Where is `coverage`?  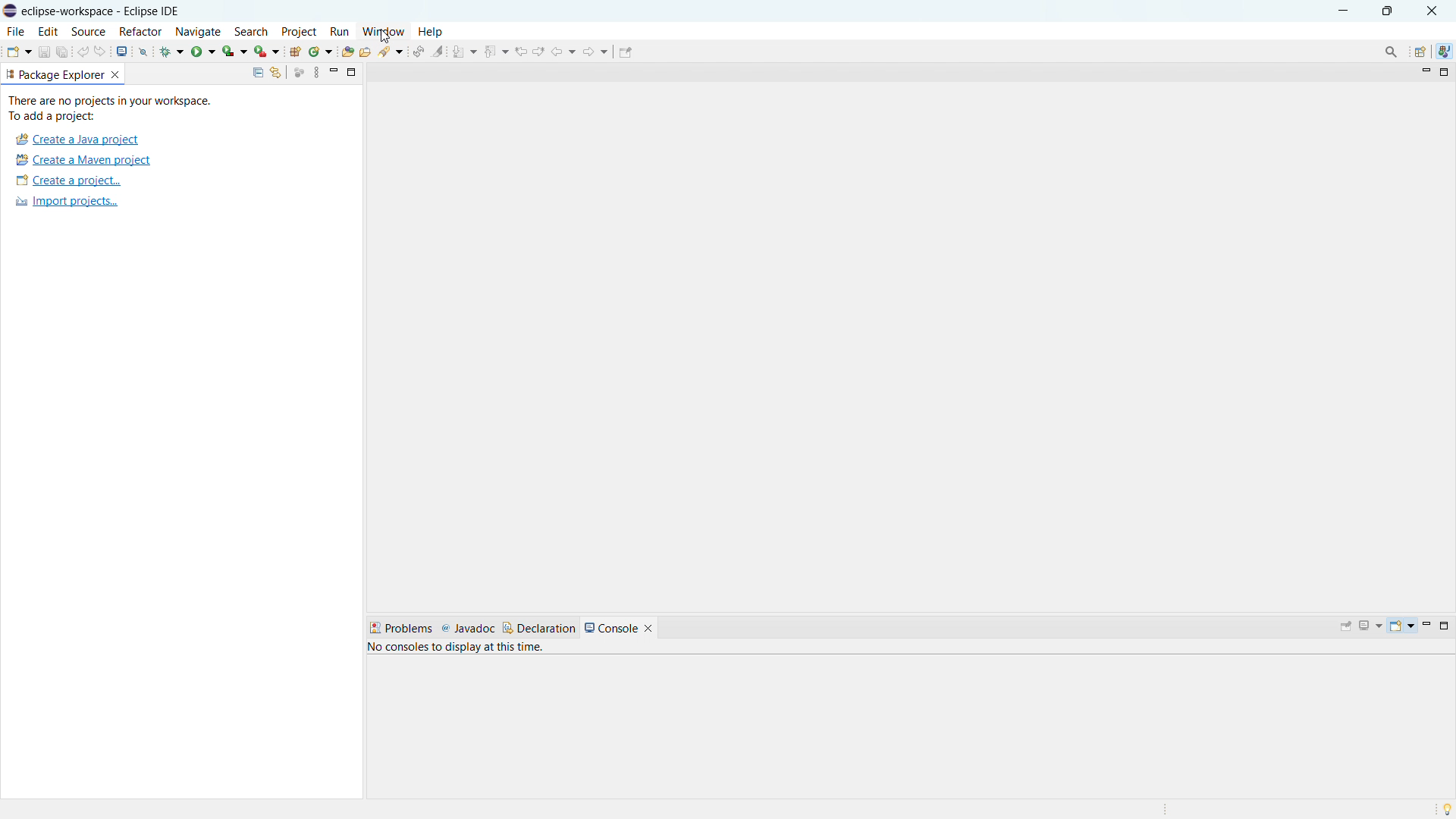
coverage is located at coordinates (234, 51).